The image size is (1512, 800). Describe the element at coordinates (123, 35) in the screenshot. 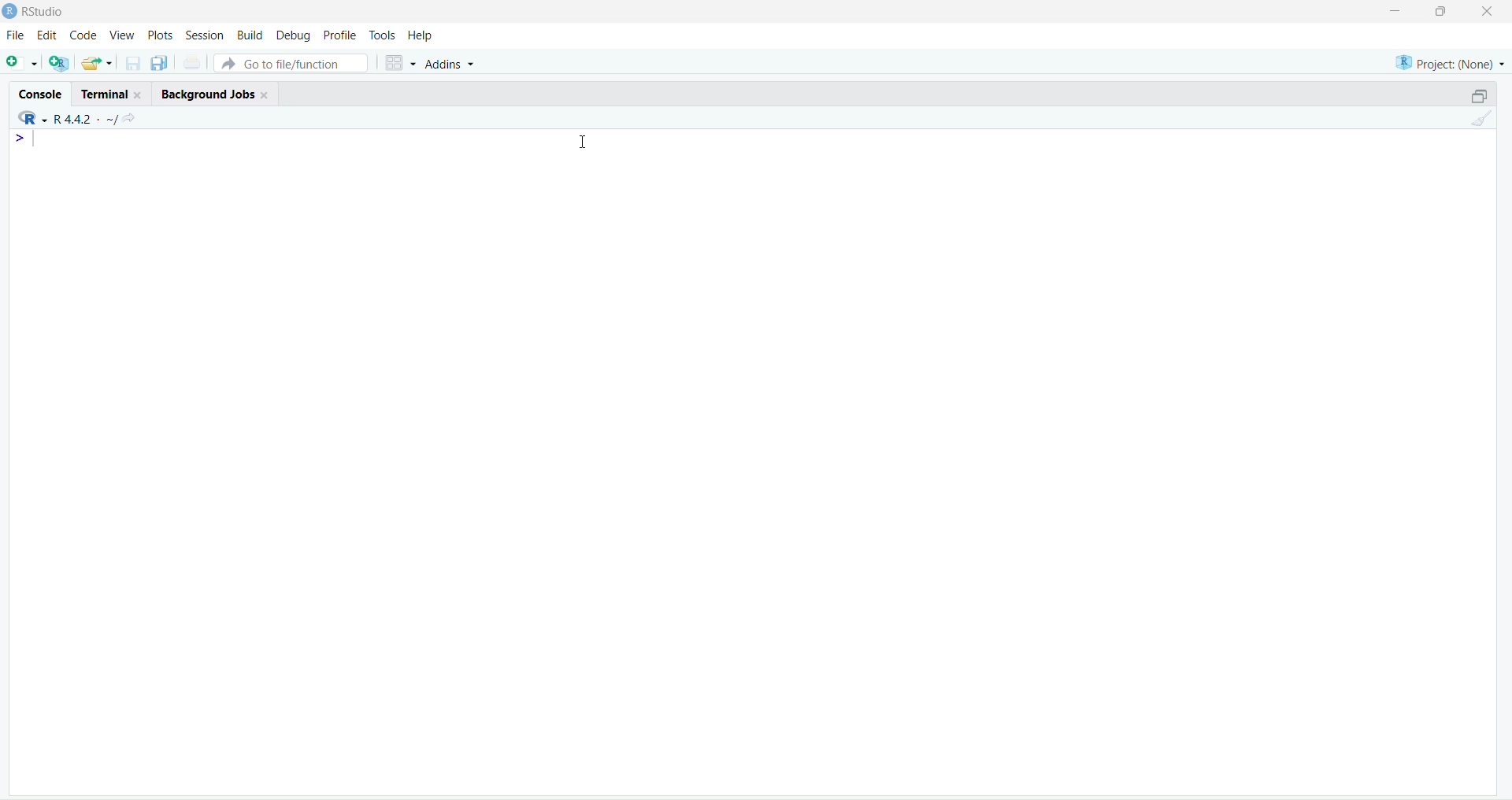

I see `View` at that location.